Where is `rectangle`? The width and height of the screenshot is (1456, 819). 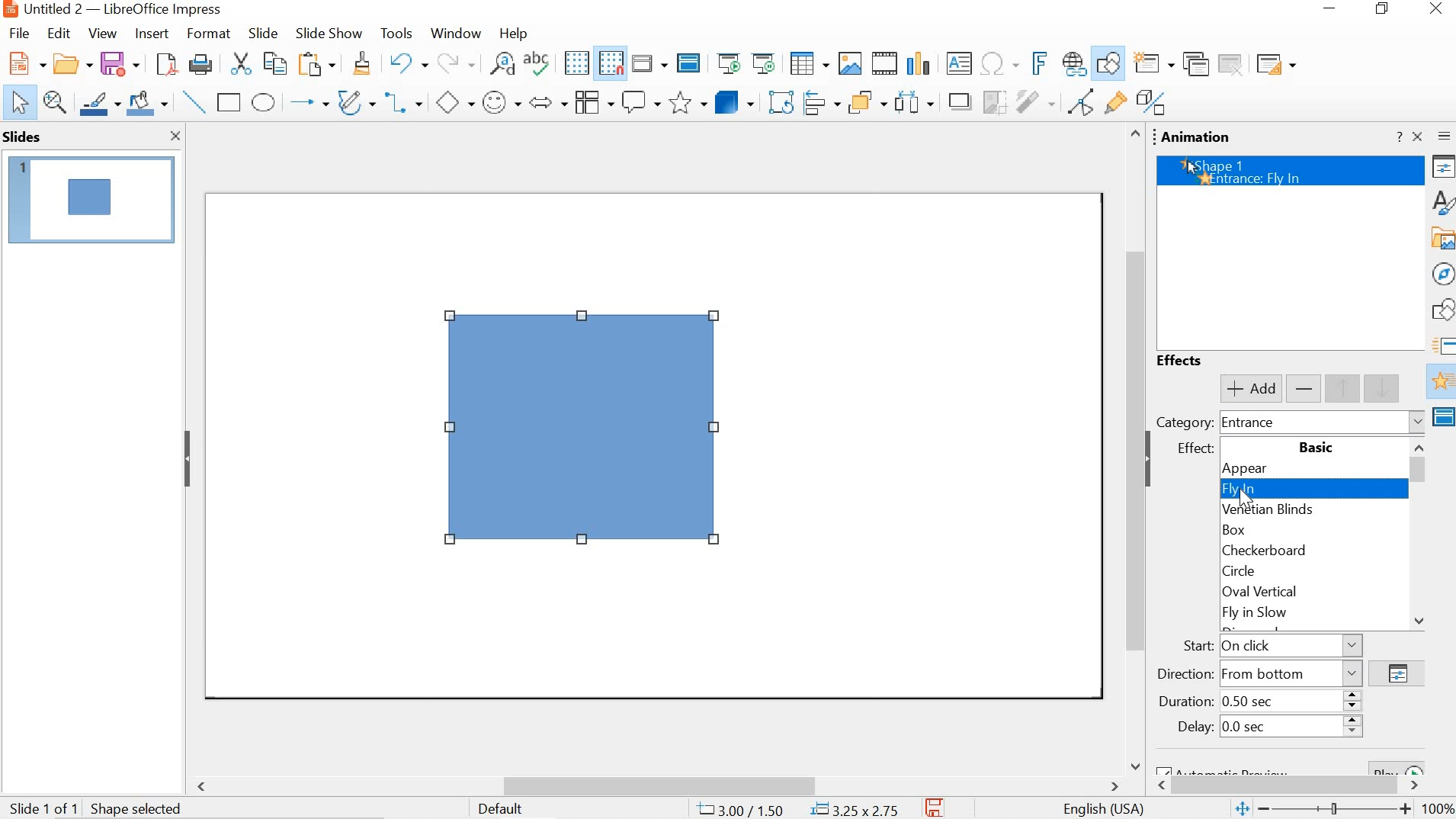 rectangle is located at coordinates (230, 103).